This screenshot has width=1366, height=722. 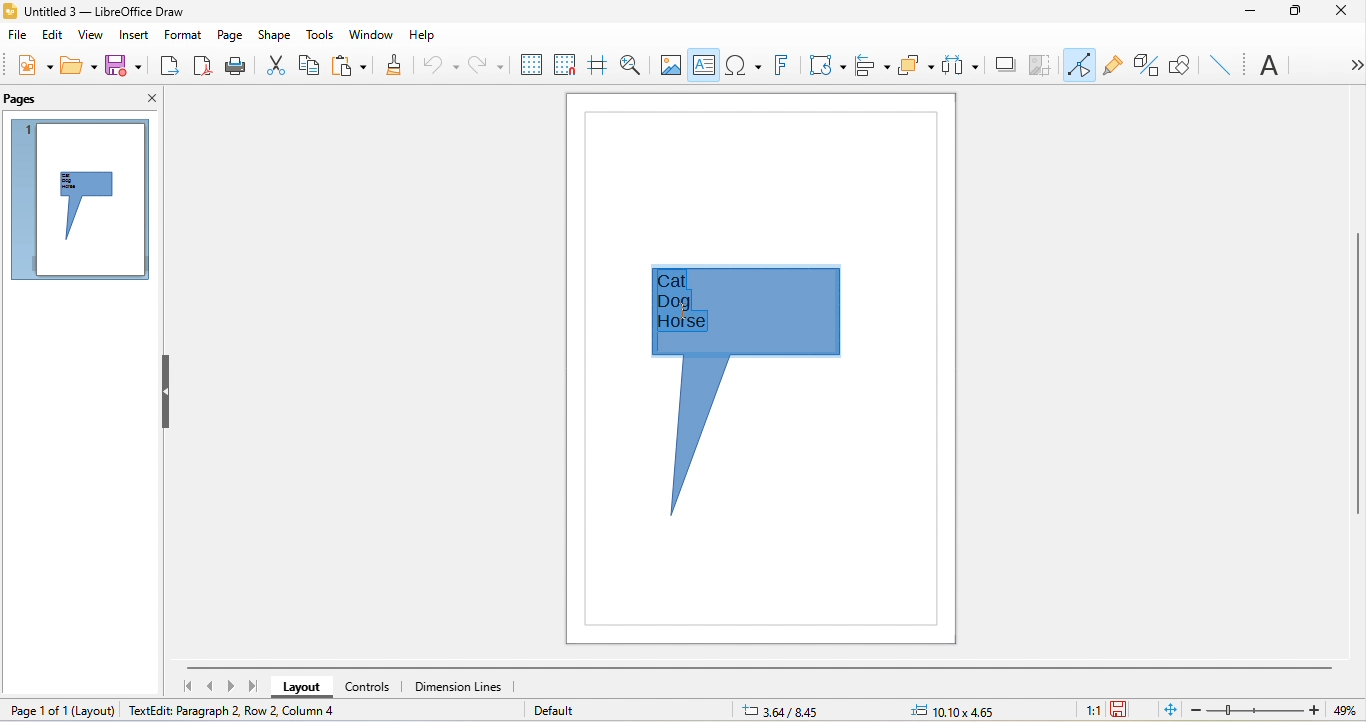 What do you see at coordinates (79, 65) in the screenshot?
I see `open` at bounding box center [79, 65].